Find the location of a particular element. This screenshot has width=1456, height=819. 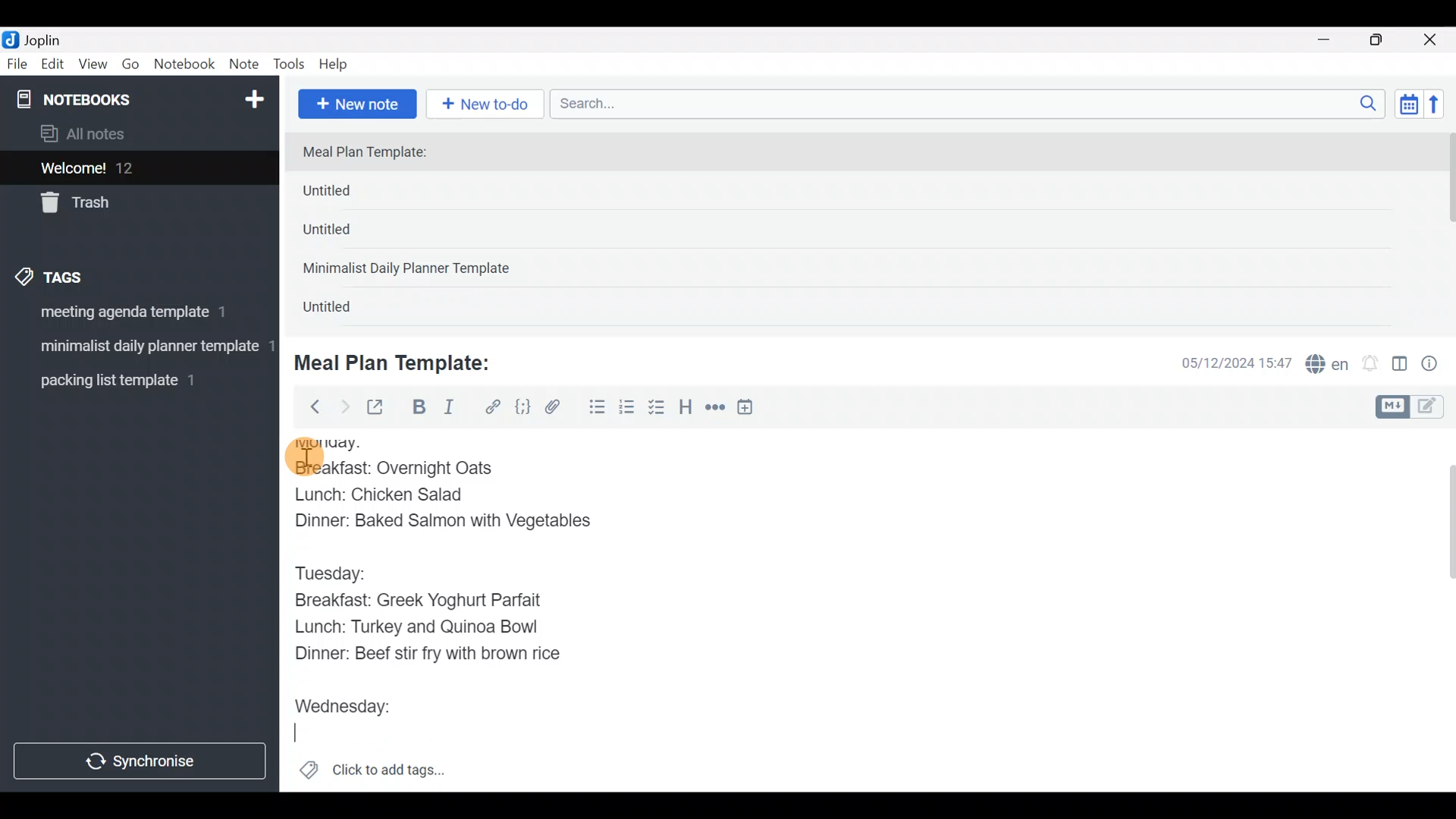

Toggle external editing is located at coordinates (381, 408).